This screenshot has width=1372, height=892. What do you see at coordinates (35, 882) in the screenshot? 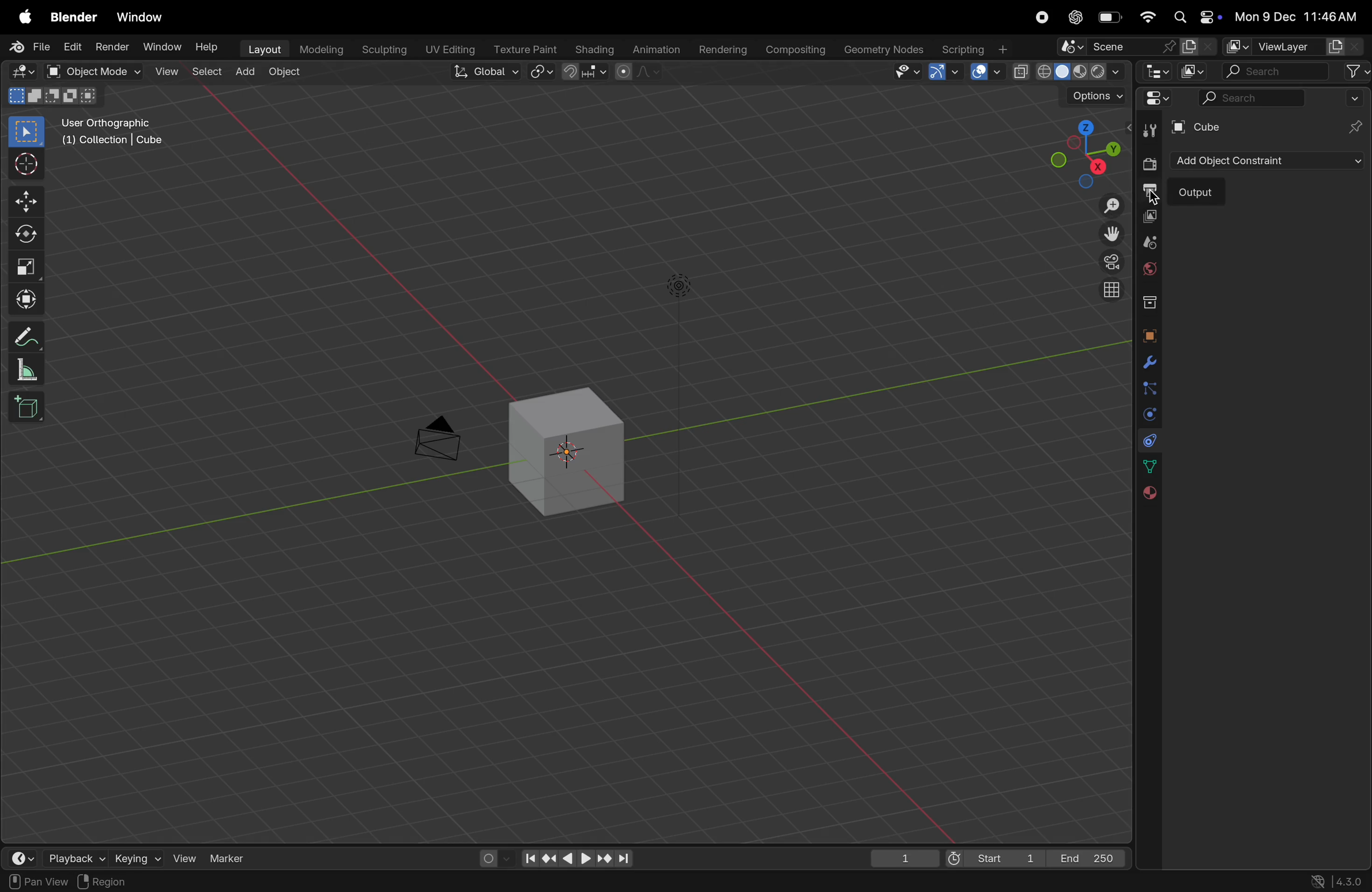
I see `pan view` at bounding box center [35, 882].